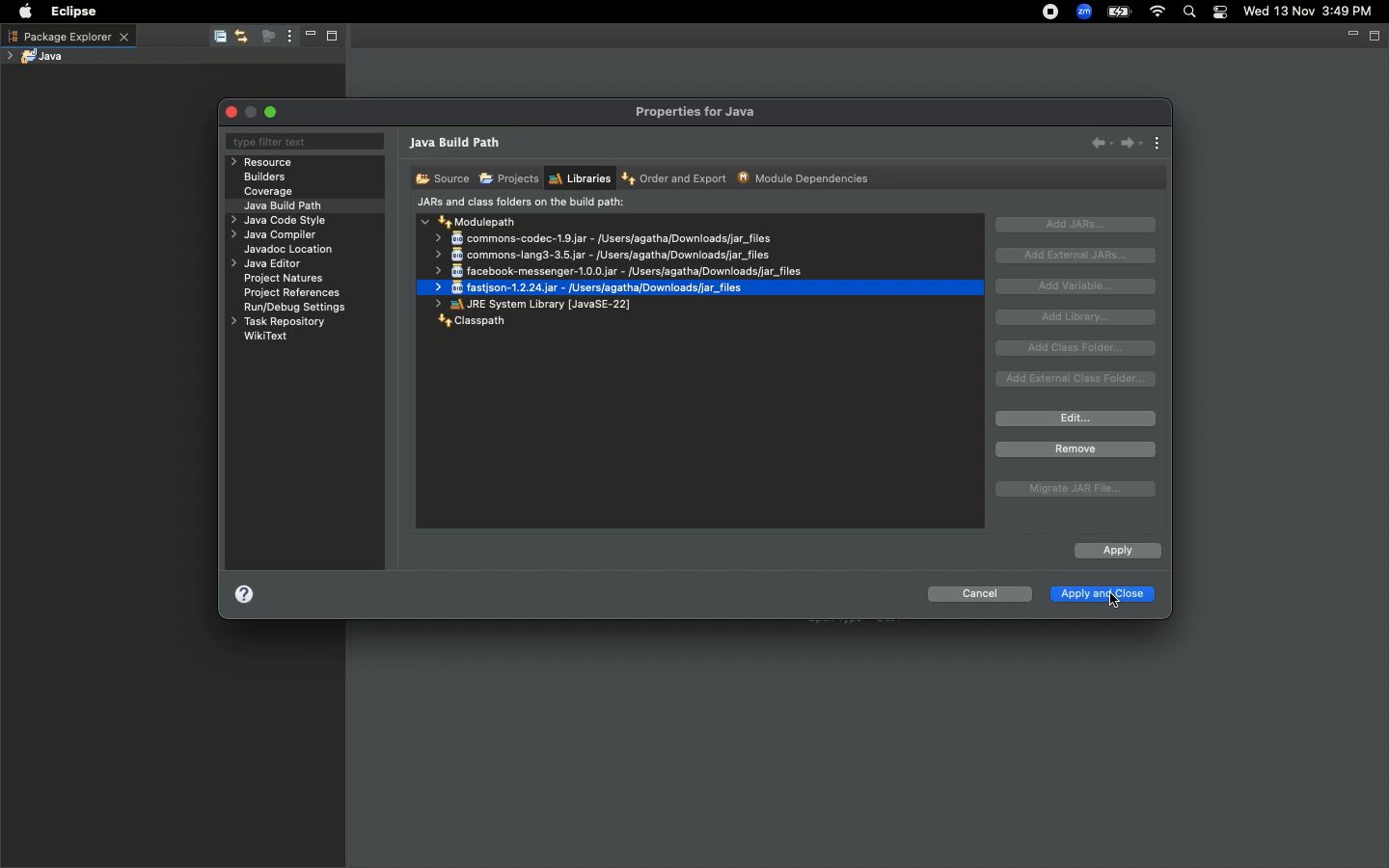 Image resolution: width=1389 pixels, height=868 pixels. What do you see at coordinates (521, 203) in the screenshot?
I see `JARs and class folders` at bounding box center [521, 203].